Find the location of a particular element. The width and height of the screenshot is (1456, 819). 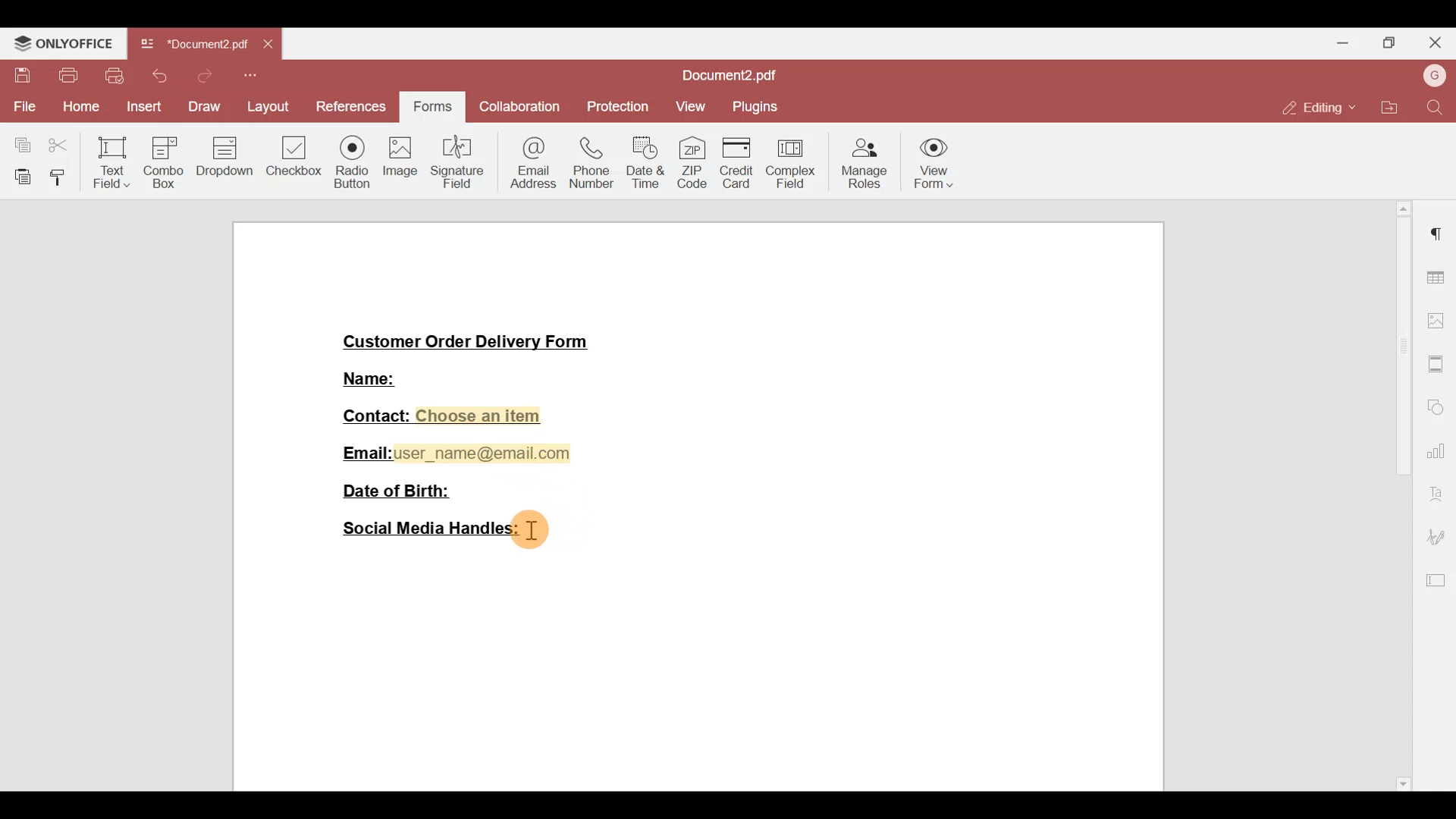

Open file location is located at coordinates (1385, 105).